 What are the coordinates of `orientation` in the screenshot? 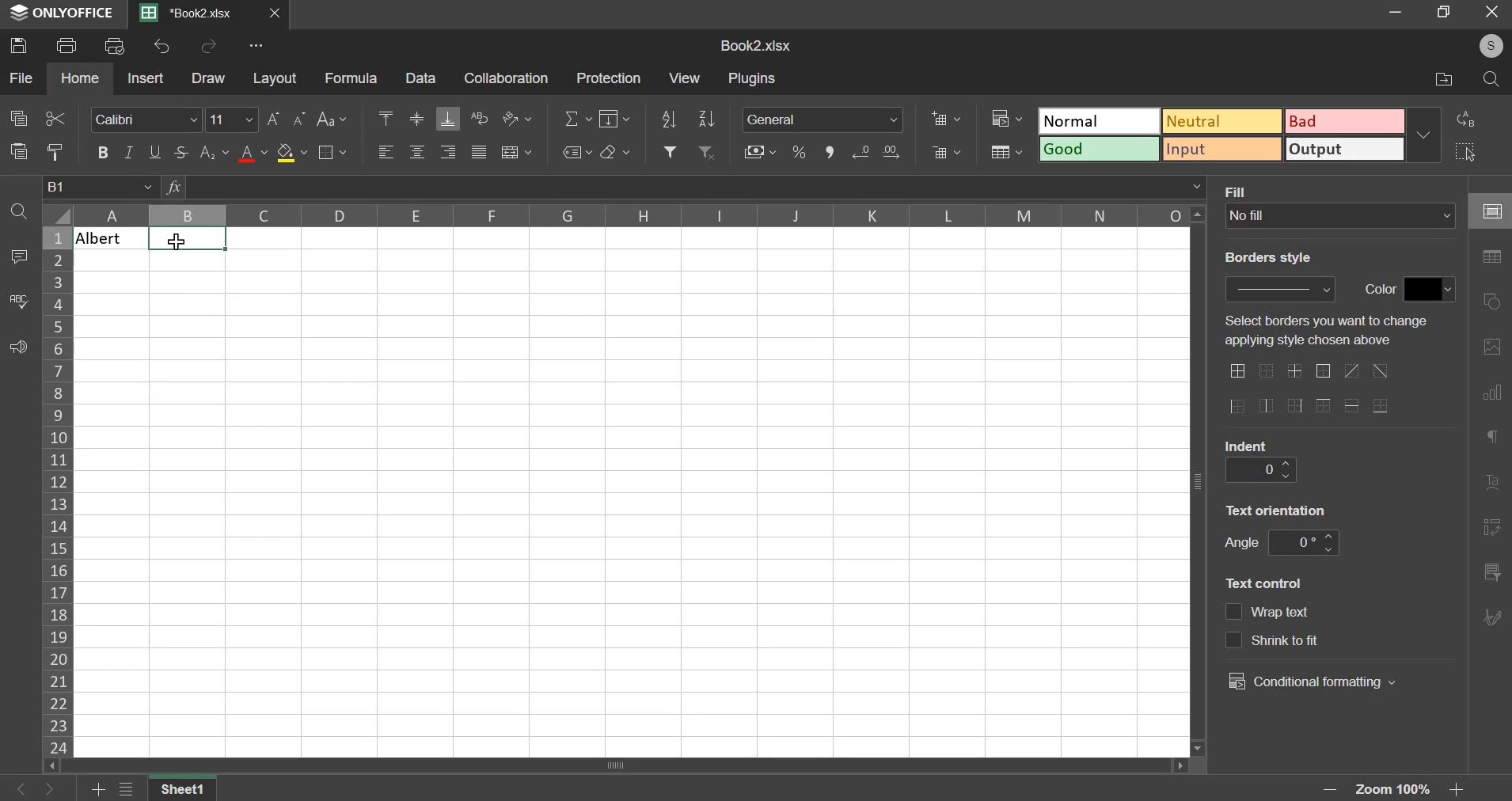 It's located at (515, 117).